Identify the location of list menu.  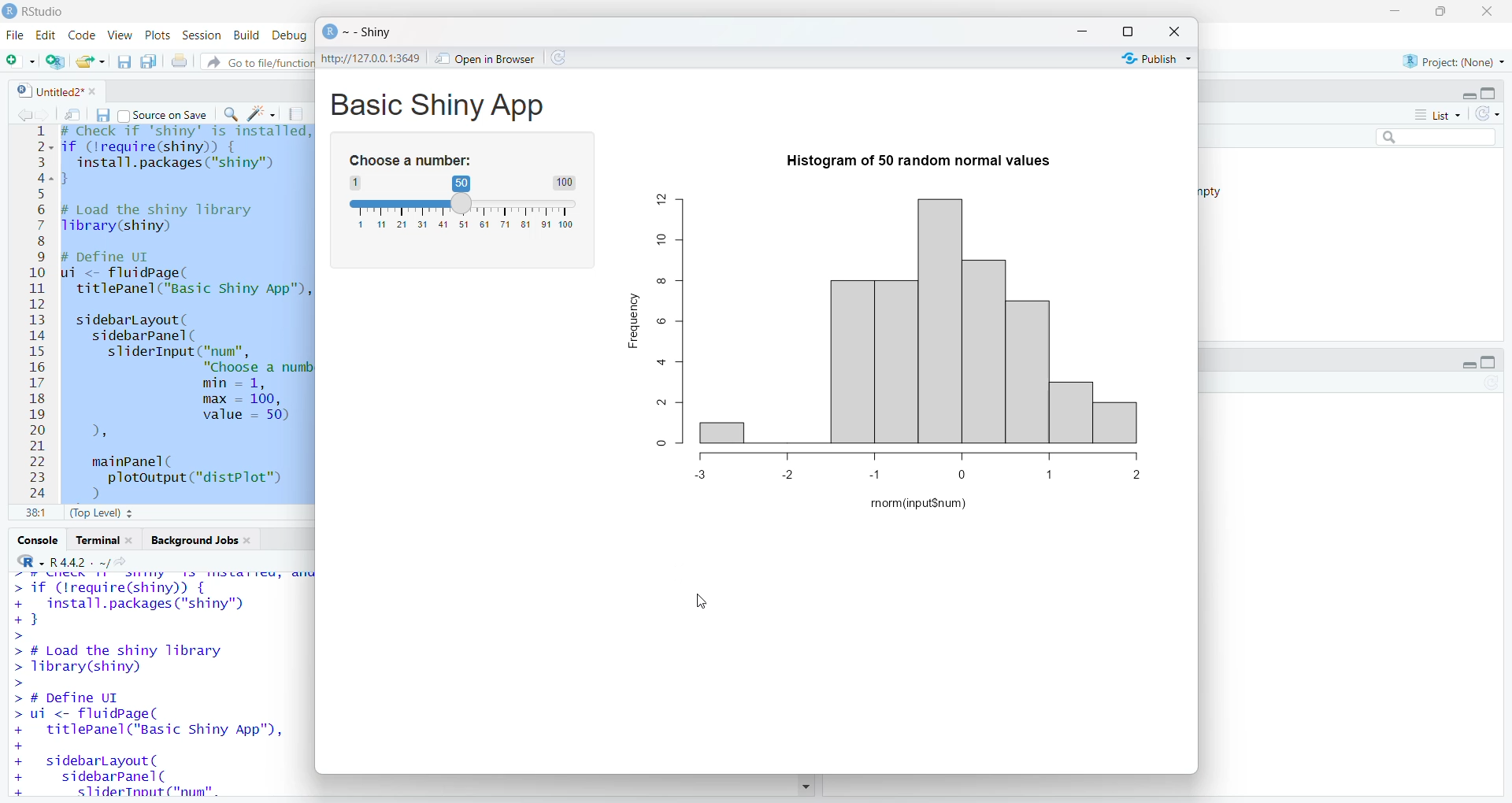
(1439, 114).